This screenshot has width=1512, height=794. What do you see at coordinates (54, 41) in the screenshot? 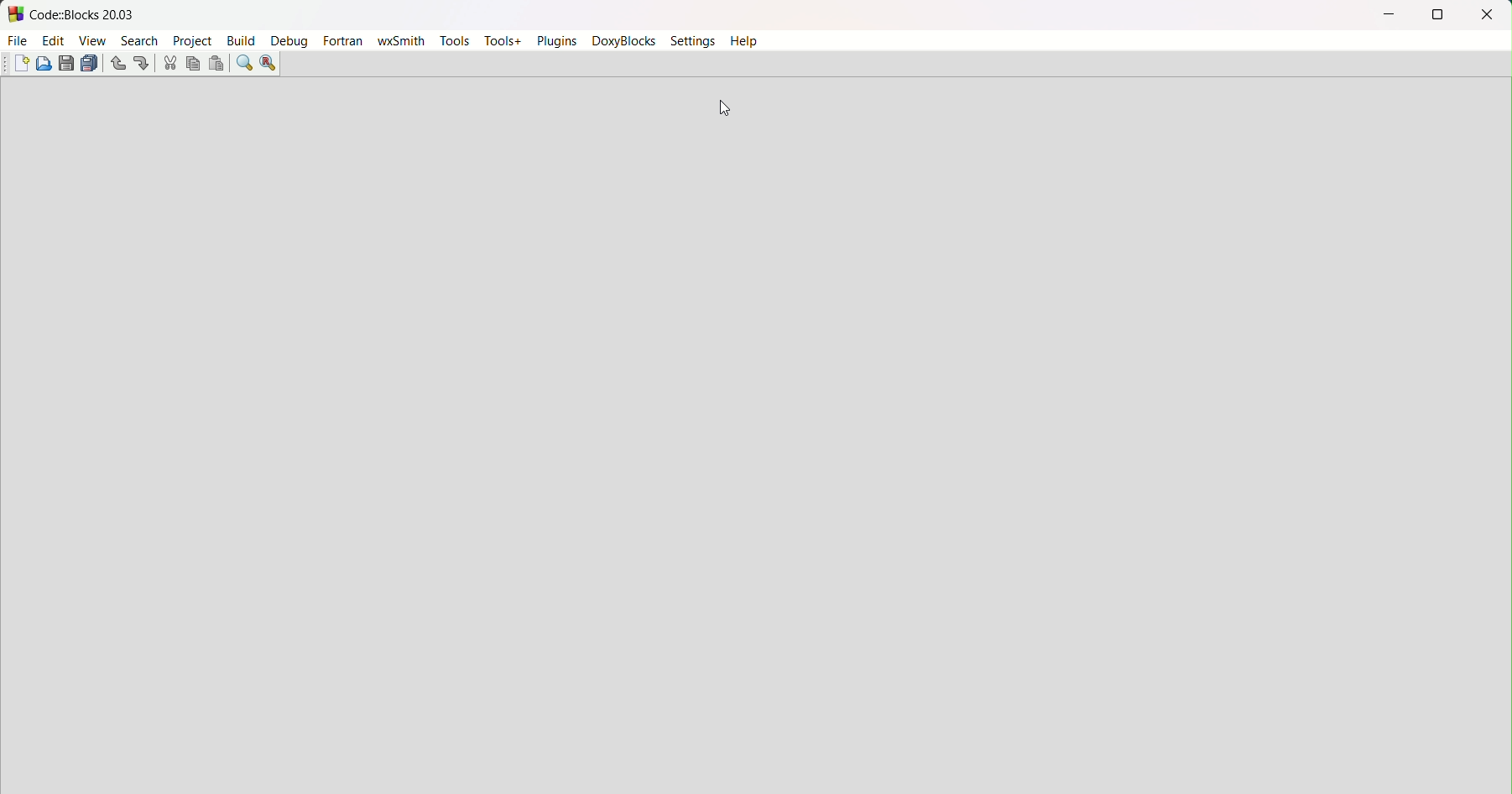
I see `edit` at bounding box center [54, 41].